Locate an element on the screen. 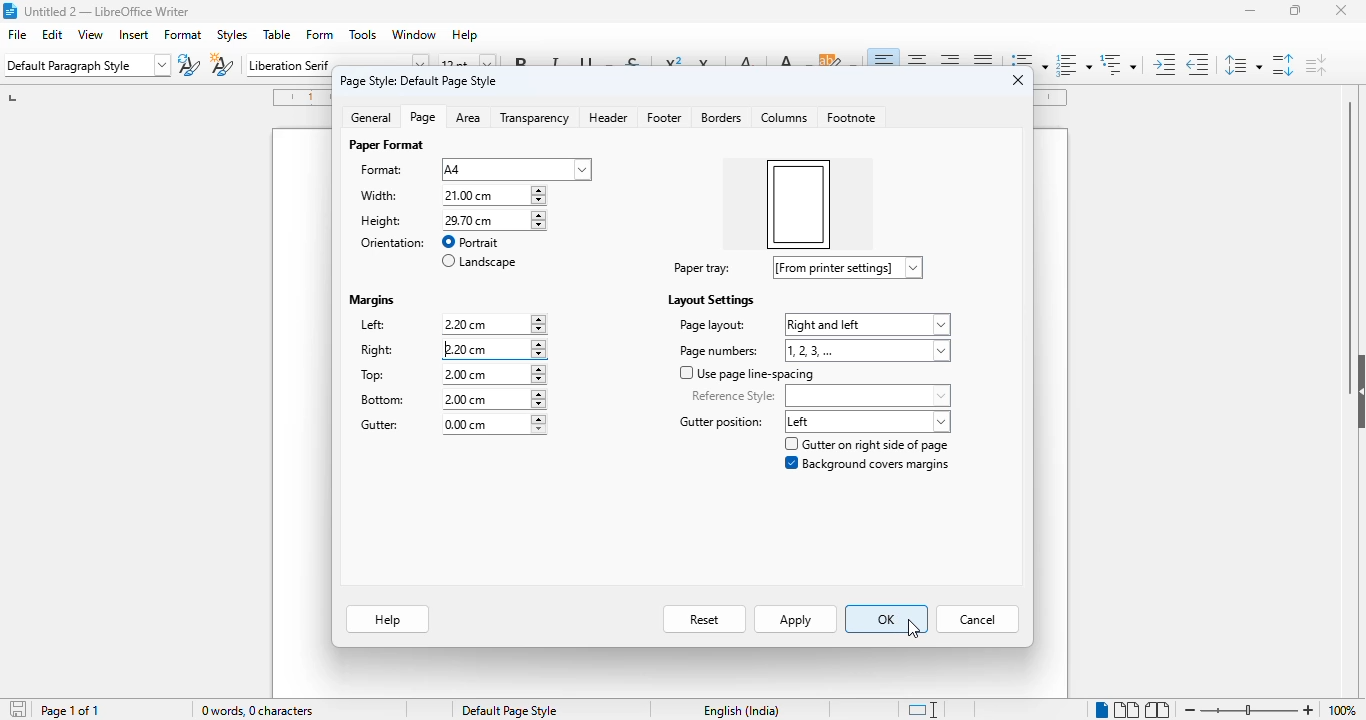 This screenshot has width=1366, height=720. right margin increased is located at coordinates (797, 205).